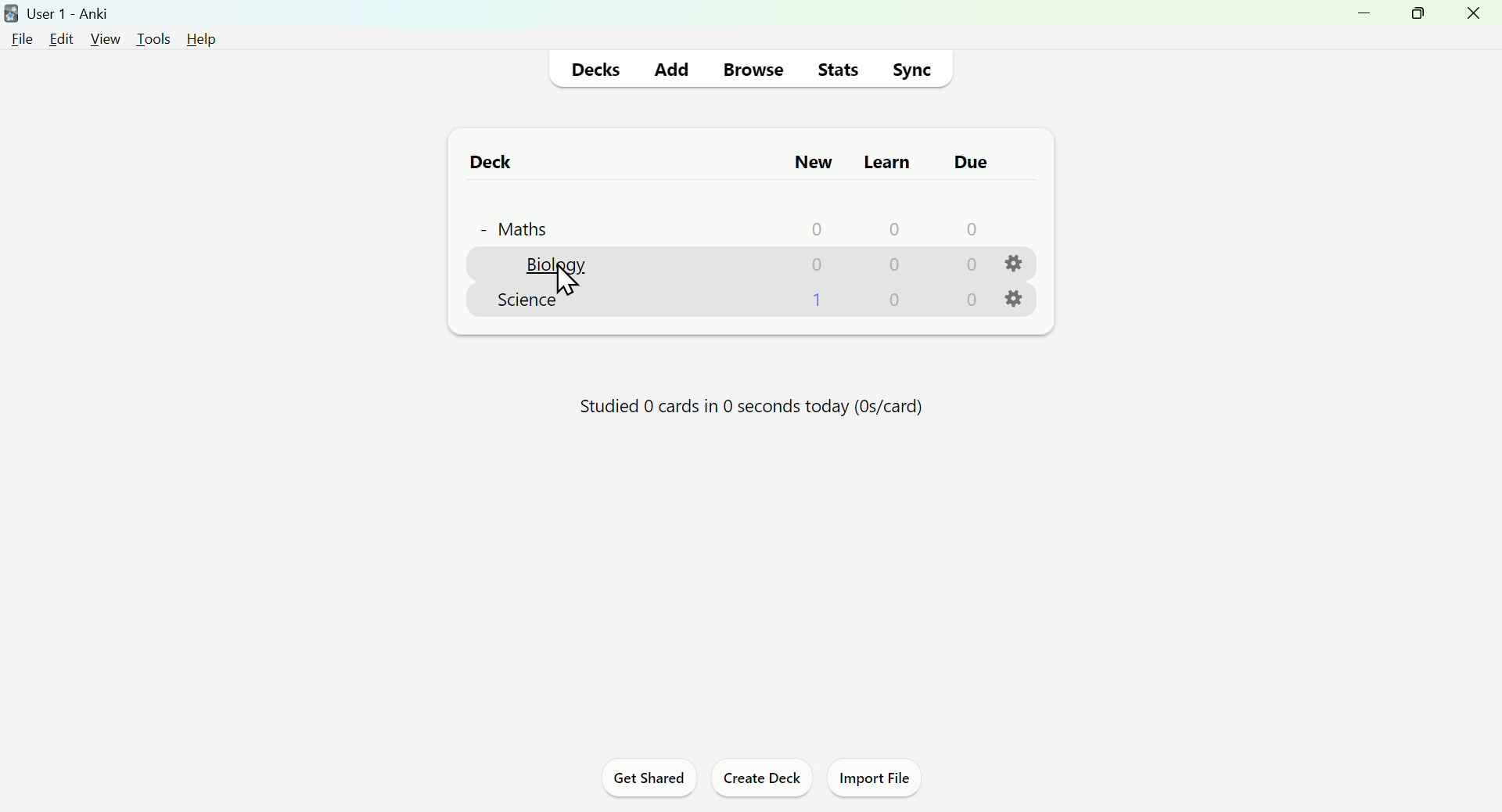  Describe the element at coordinates (545, 267) in the screenshot. I see `biology` at that location.